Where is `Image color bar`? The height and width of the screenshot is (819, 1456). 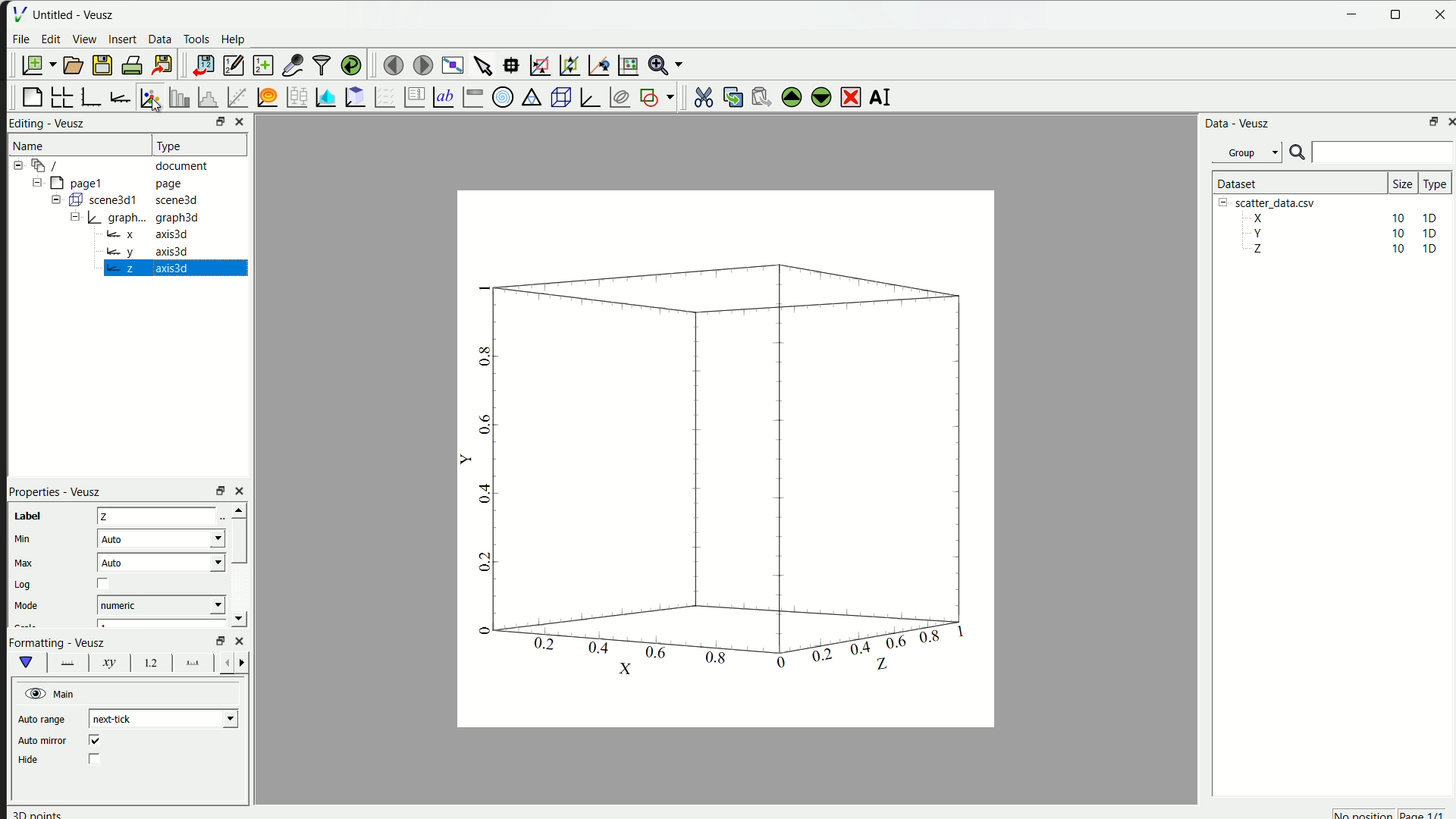
Image color bar is located at coordinates (474, 96).